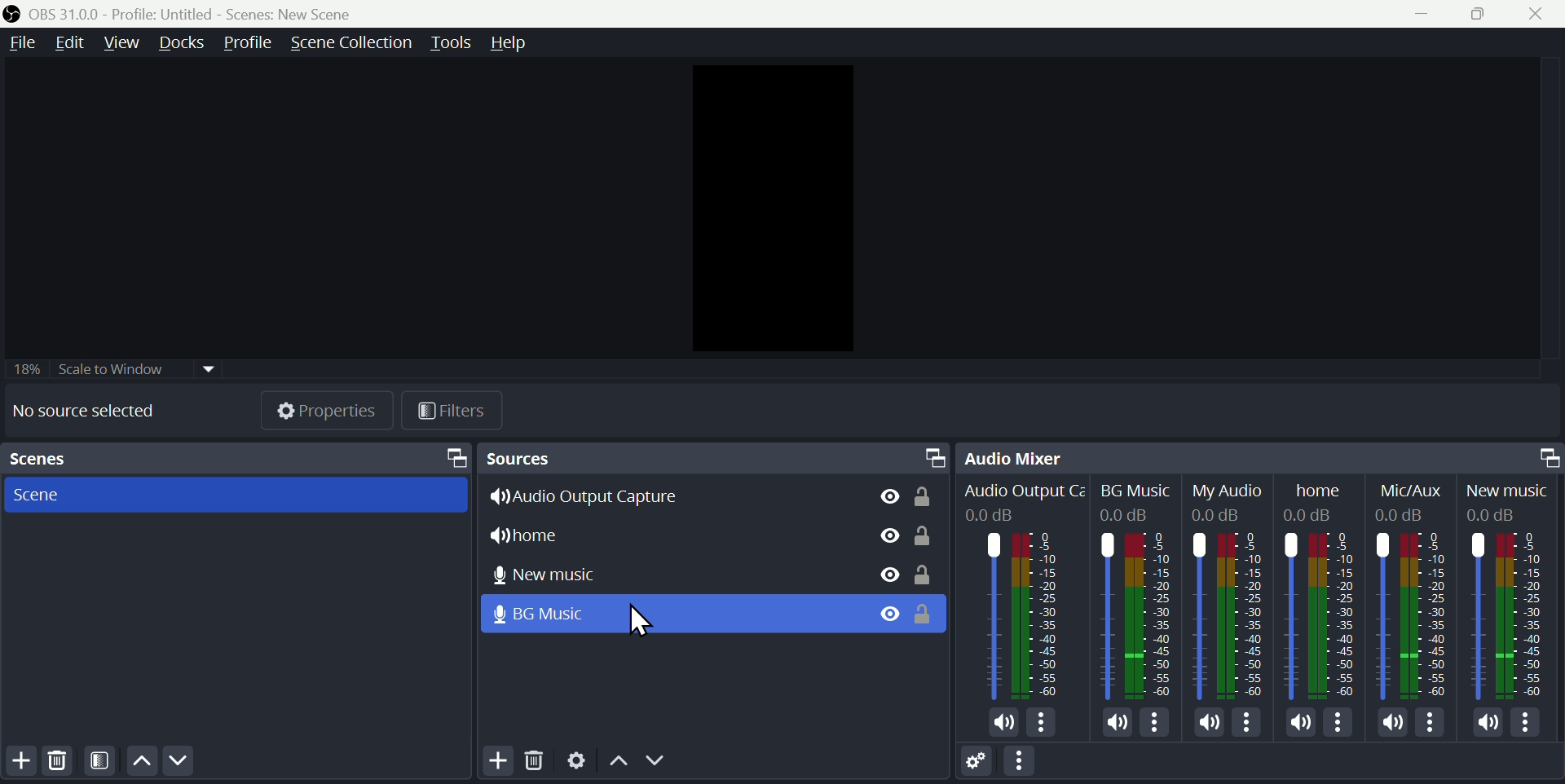 The image size is (1565, 784). Describe the element at coordinates (553, 534) in the screenshot. I see `home` at that location.